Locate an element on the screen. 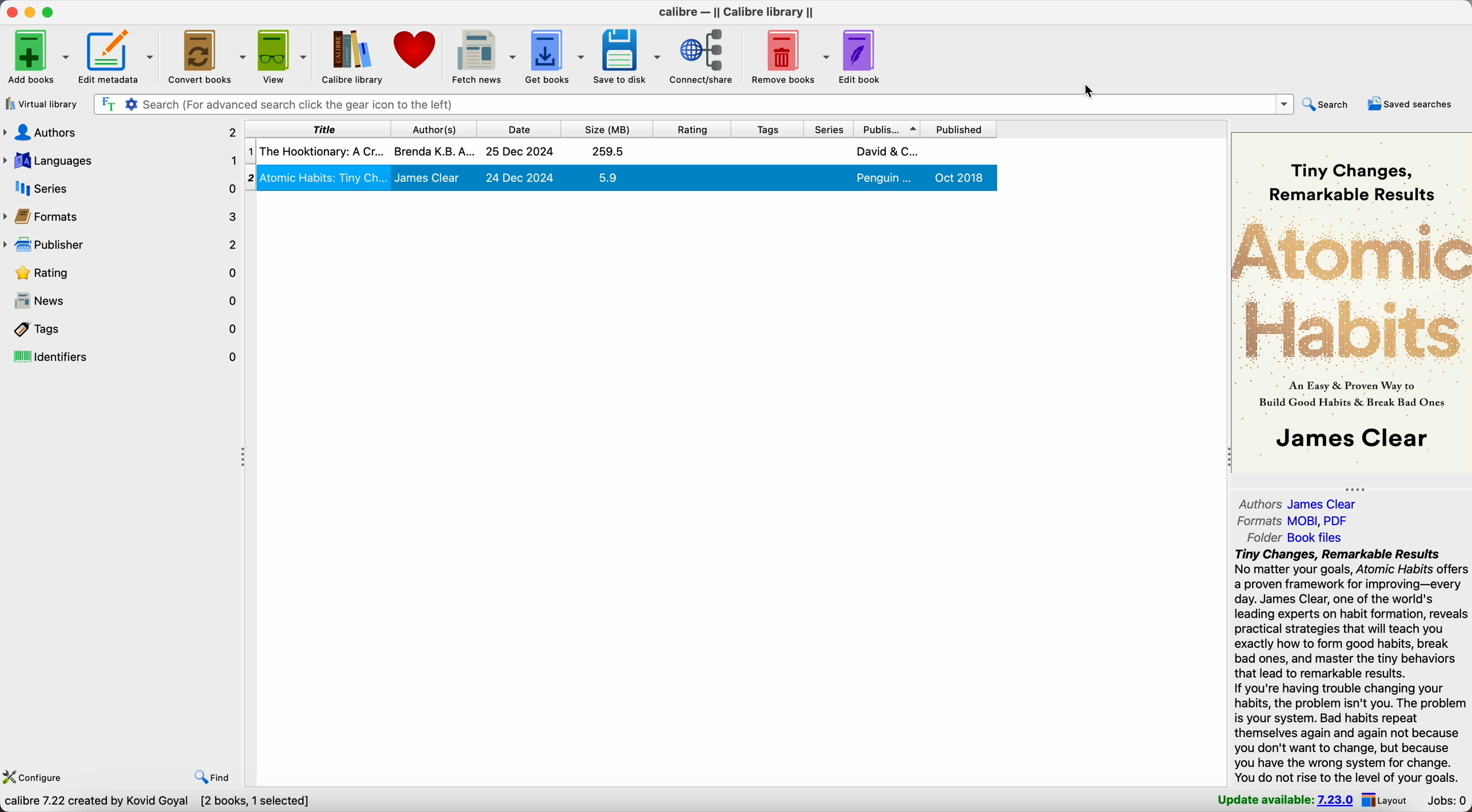 This screenshot has width=1472, height=812. Calibre - || Calibre library || is located at coordinates (736, 12).